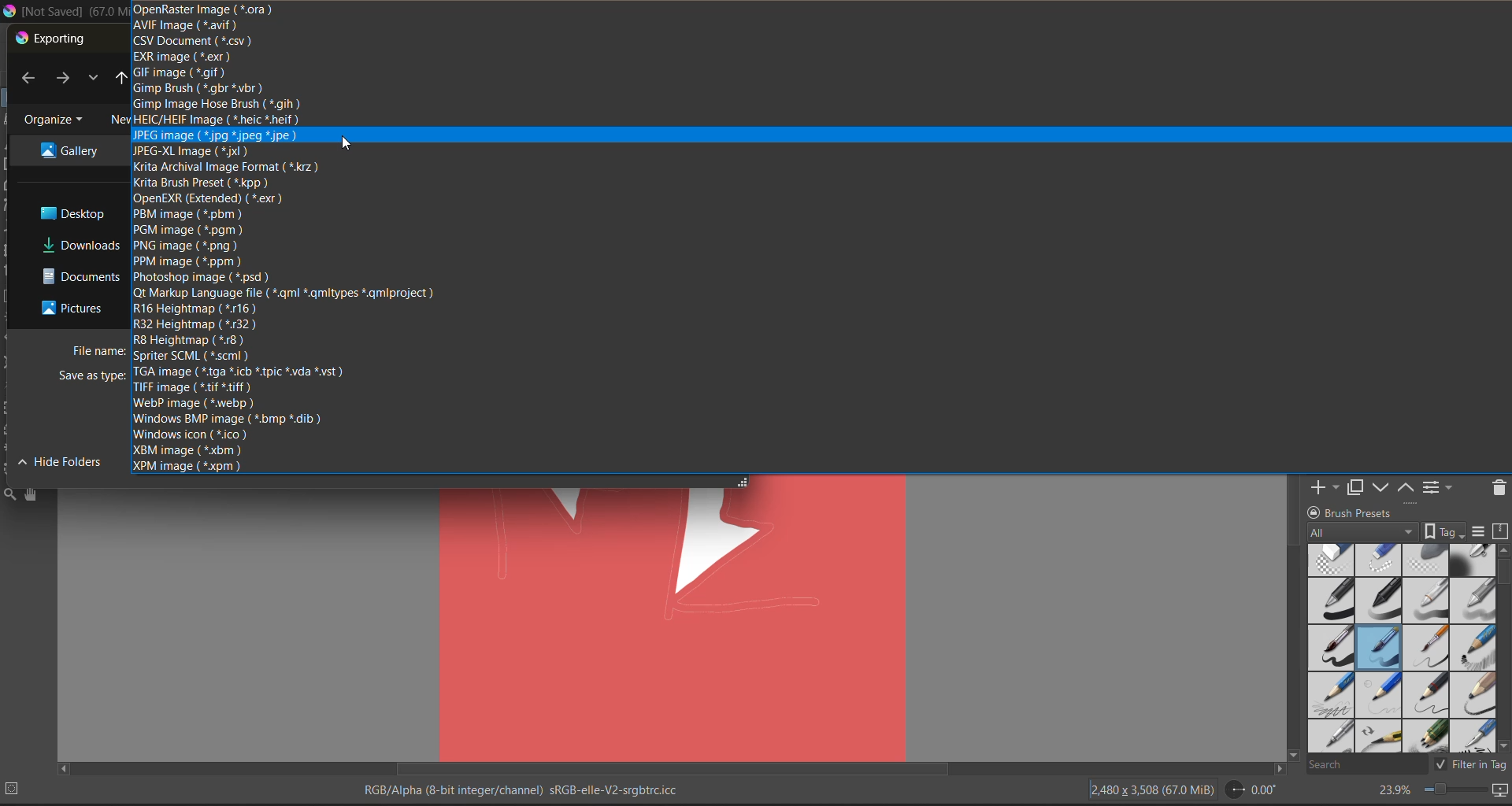  Describe the element at coordinates (194, 388) in the screenshot. I see `tiff image` at that location.